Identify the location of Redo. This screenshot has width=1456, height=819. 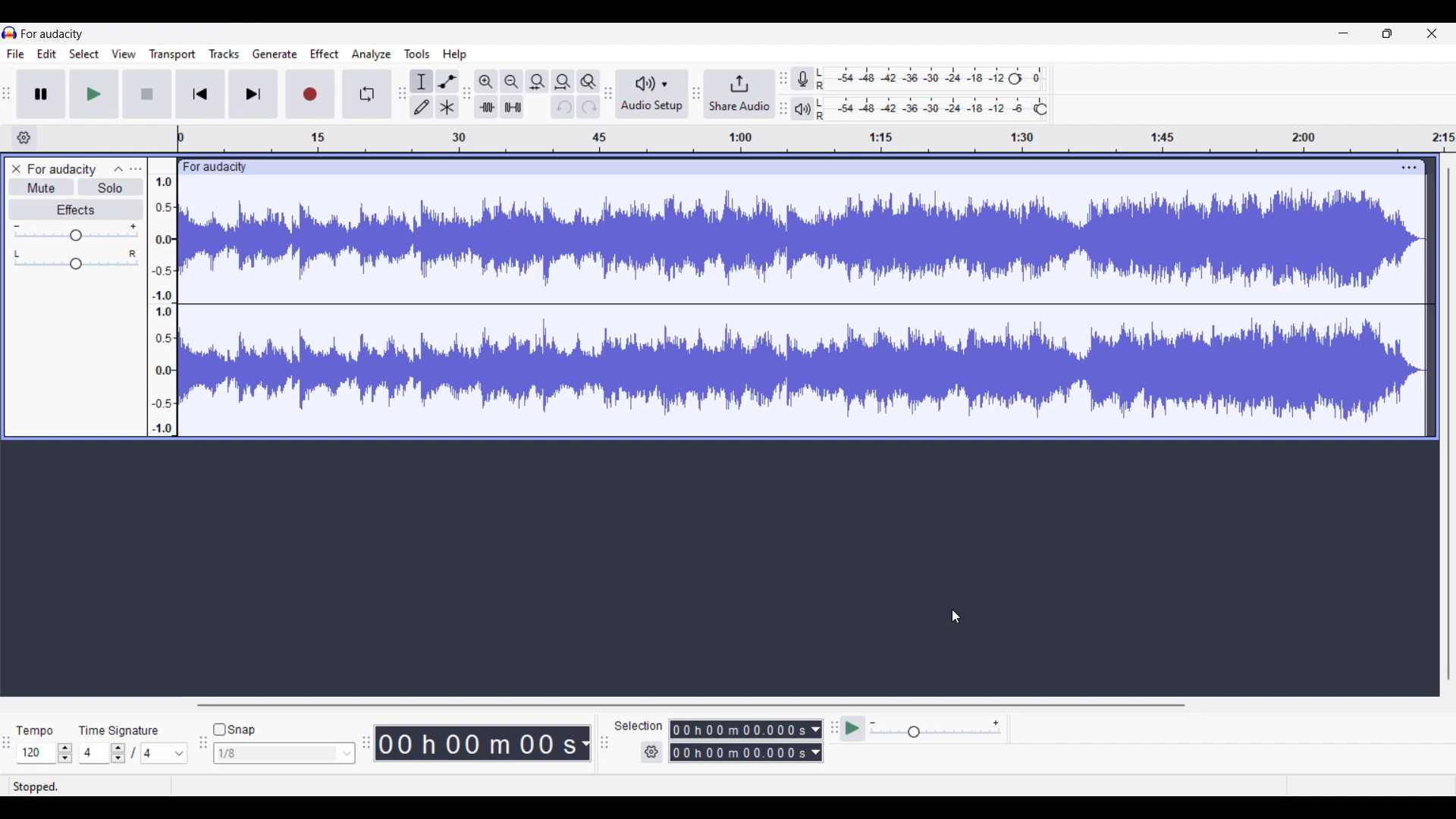
(588, 107).